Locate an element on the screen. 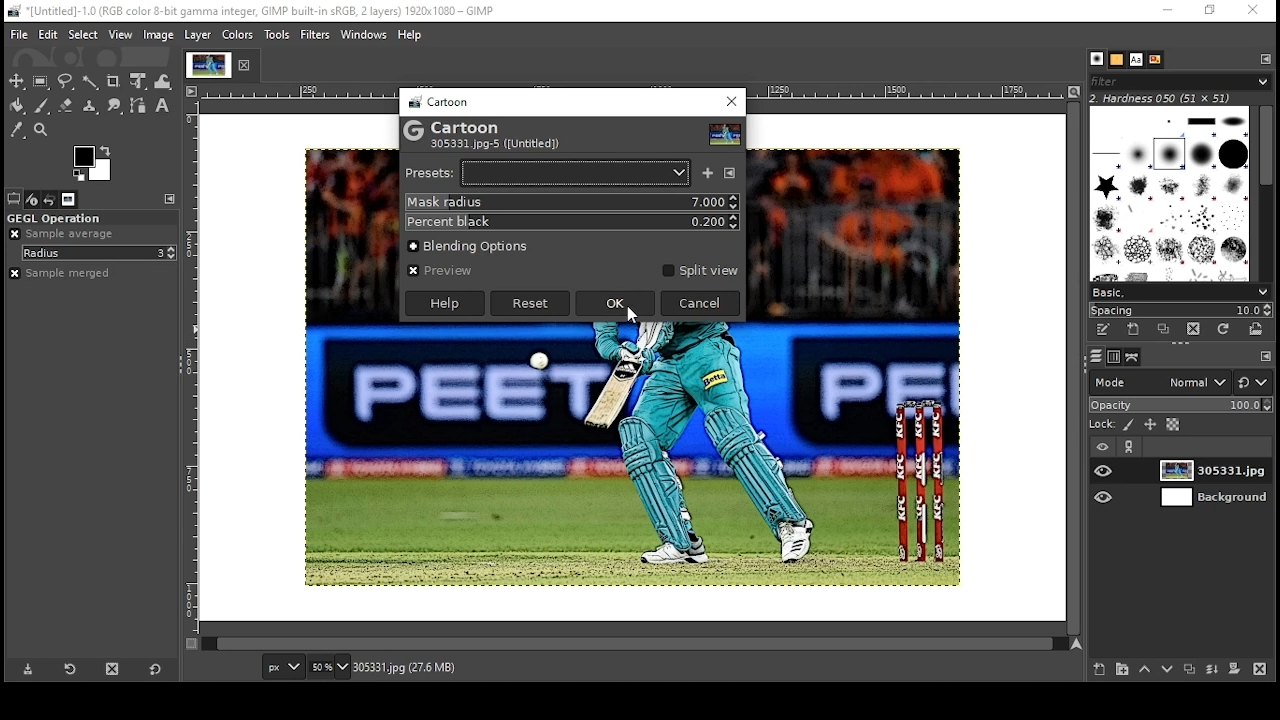  paint bucket tool is located at coordinates (18, 105).